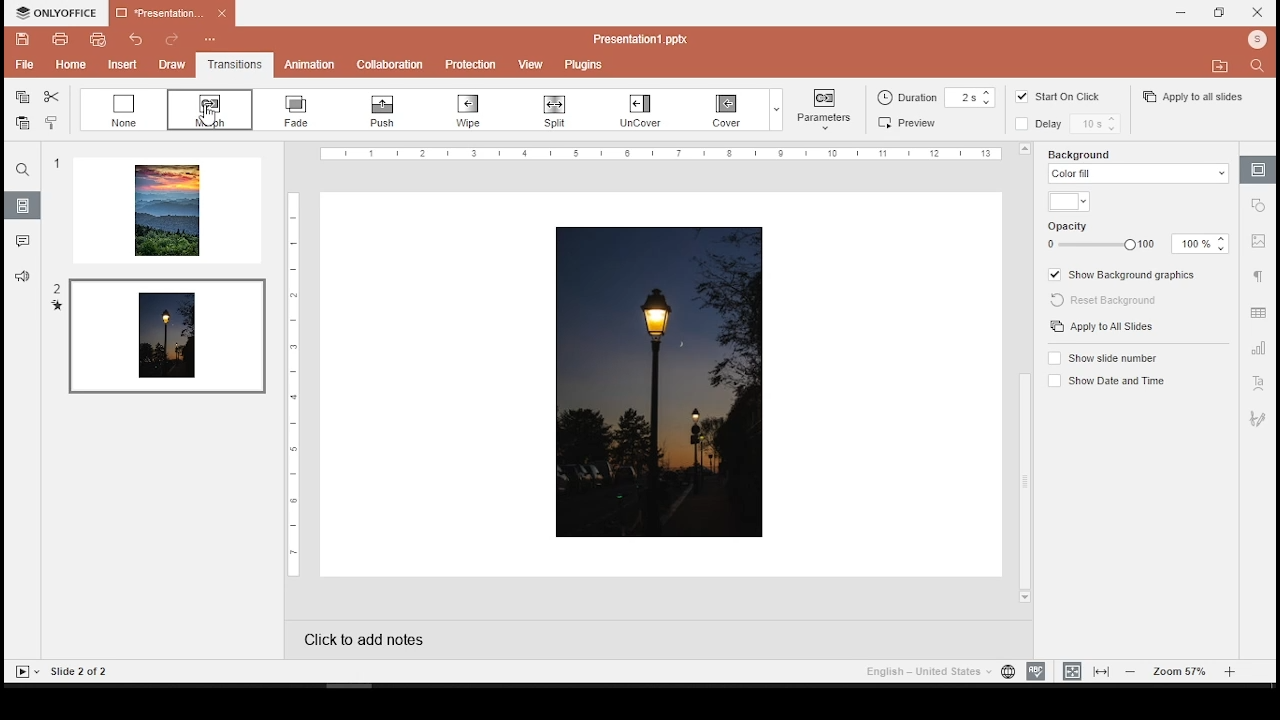  Describe the element at coordinates (23, 170) in the screenshot. I see `find` at that location.